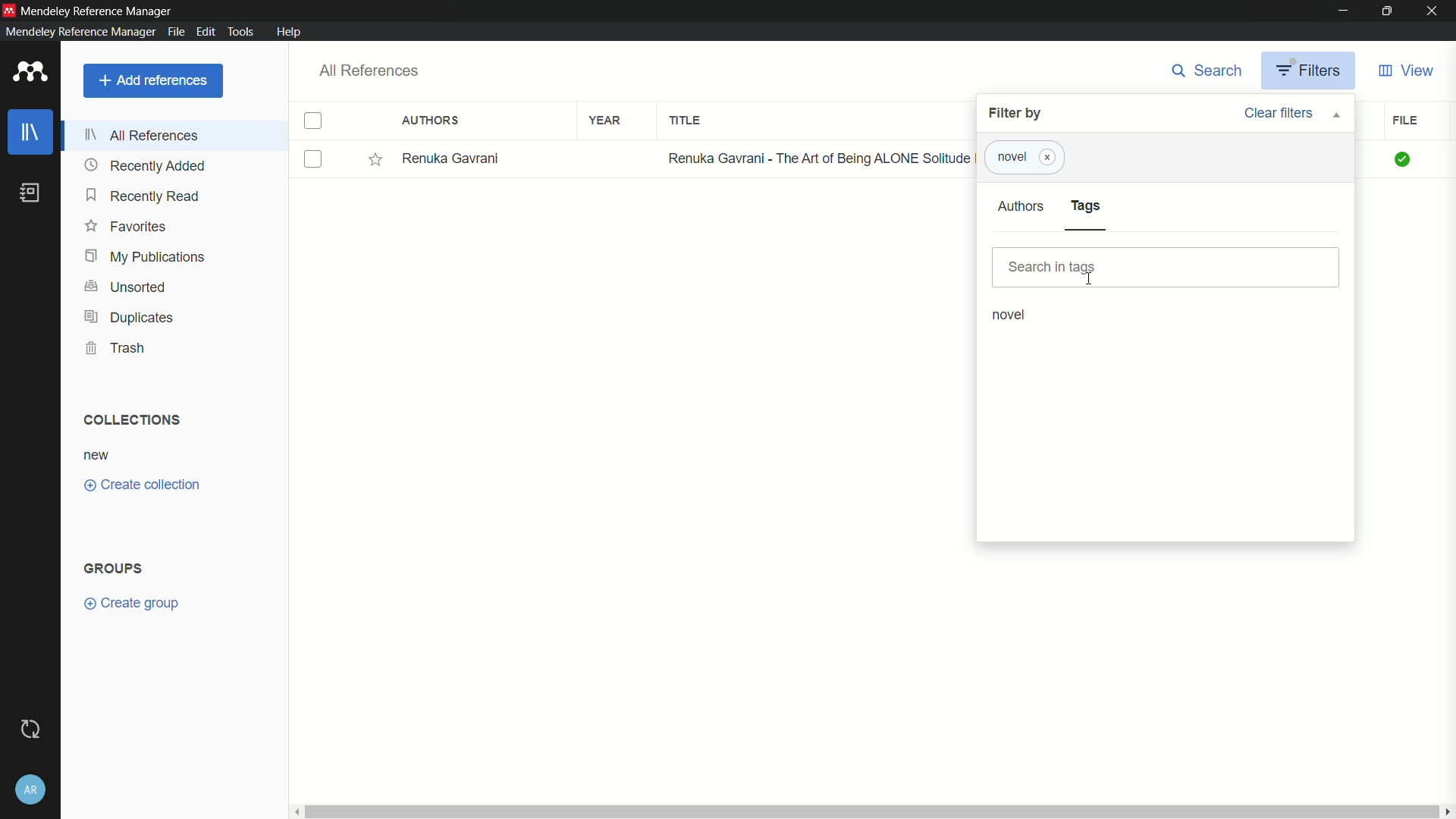 Image resolution: width=1456 pixels, height=819 pixels. Describe the element at coordinates (112, 569) in the screenshot. I see `groups` at that location.